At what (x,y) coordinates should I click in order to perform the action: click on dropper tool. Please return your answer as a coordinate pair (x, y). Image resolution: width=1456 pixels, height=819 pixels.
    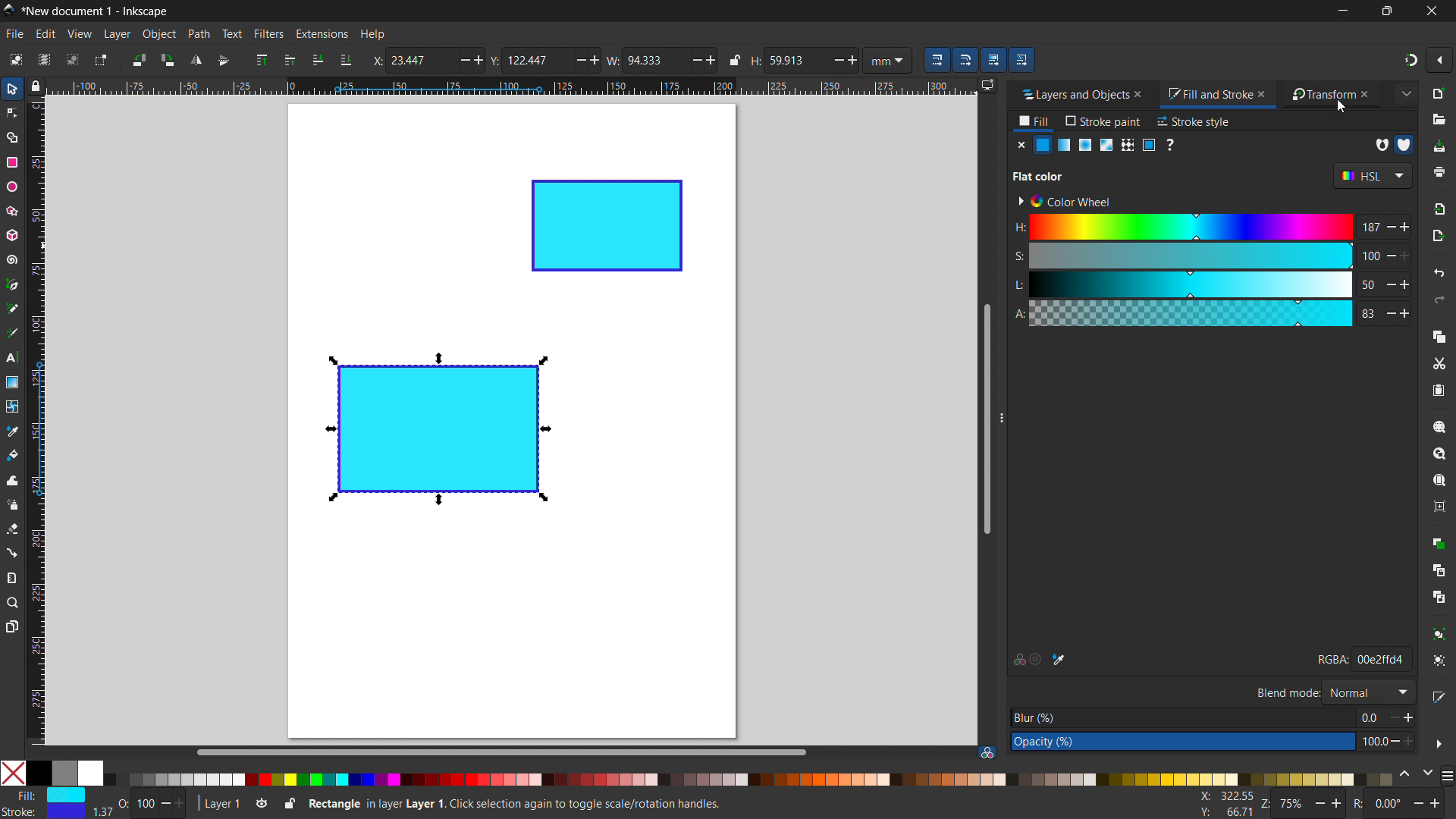
    Looking at the image, I should click on (12, 431).